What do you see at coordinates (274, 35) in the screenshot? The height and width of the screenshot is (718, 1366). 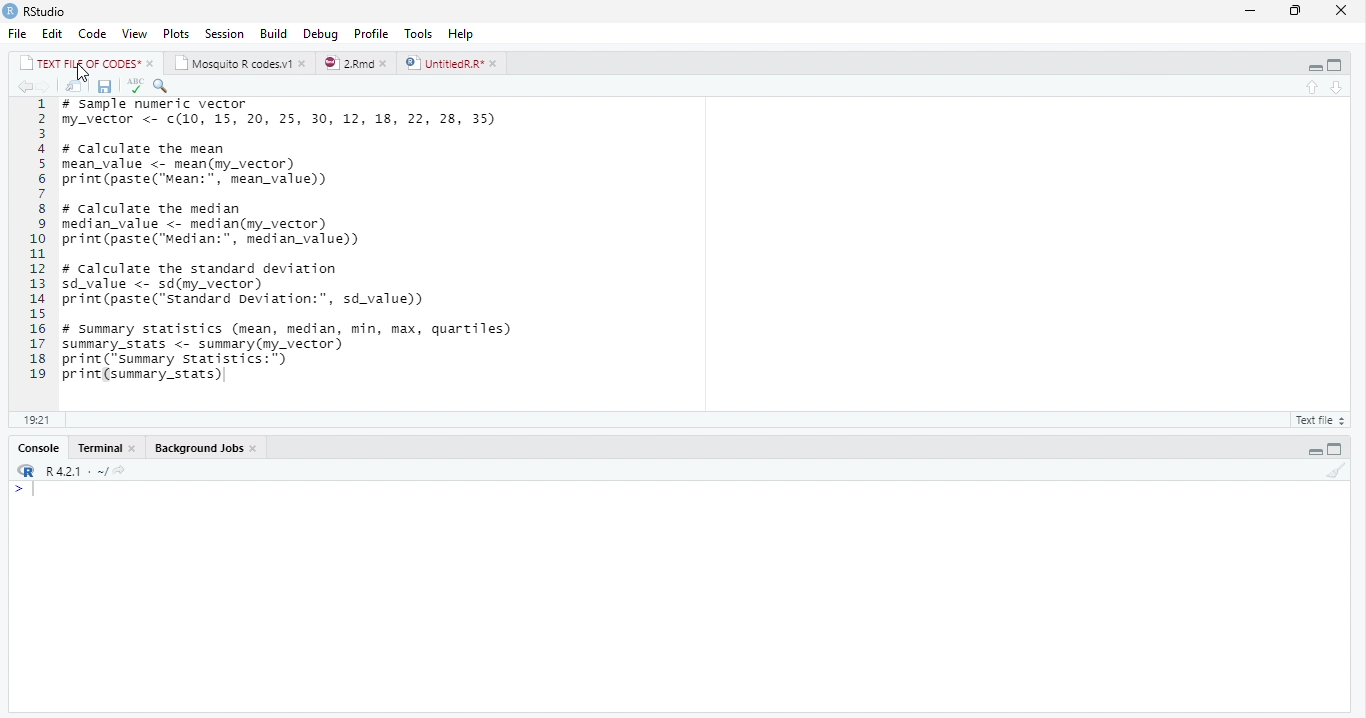 I see `build` at bounding box center [274, 35].